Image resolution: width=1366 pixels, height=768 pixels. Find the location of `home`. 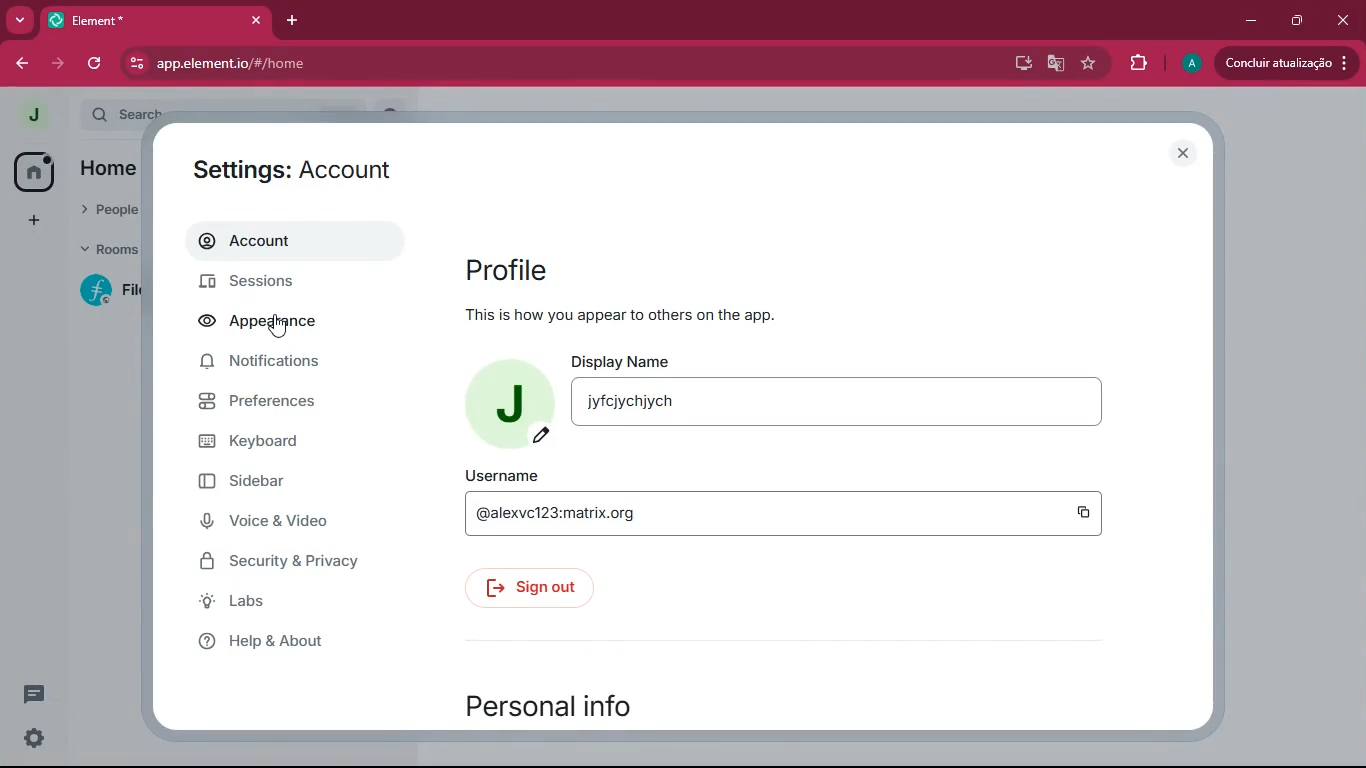

home is located at coordinates (31, 171).